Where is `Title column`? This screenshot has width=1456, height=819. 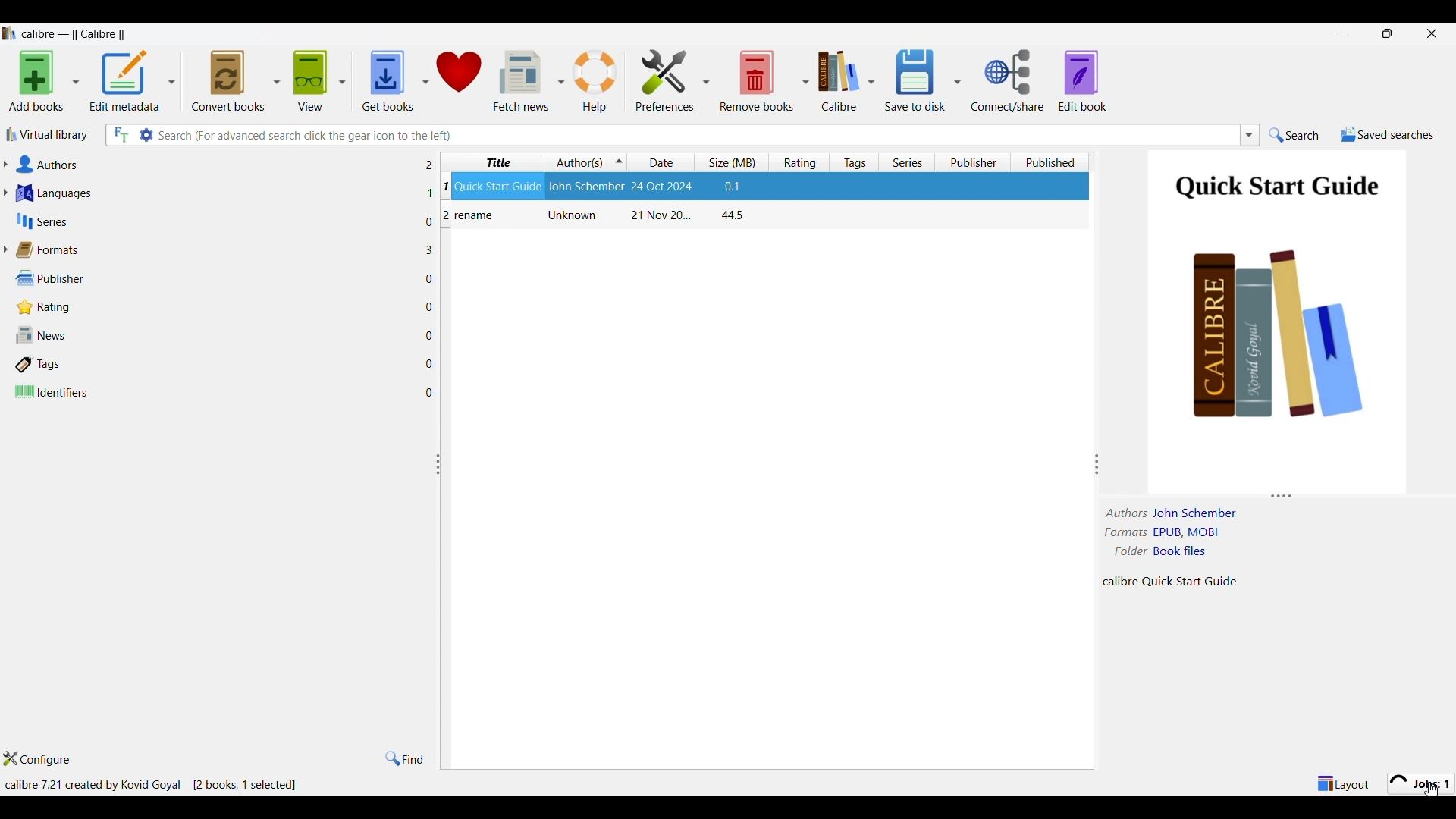
Title column is located at coordinates (492, 162).